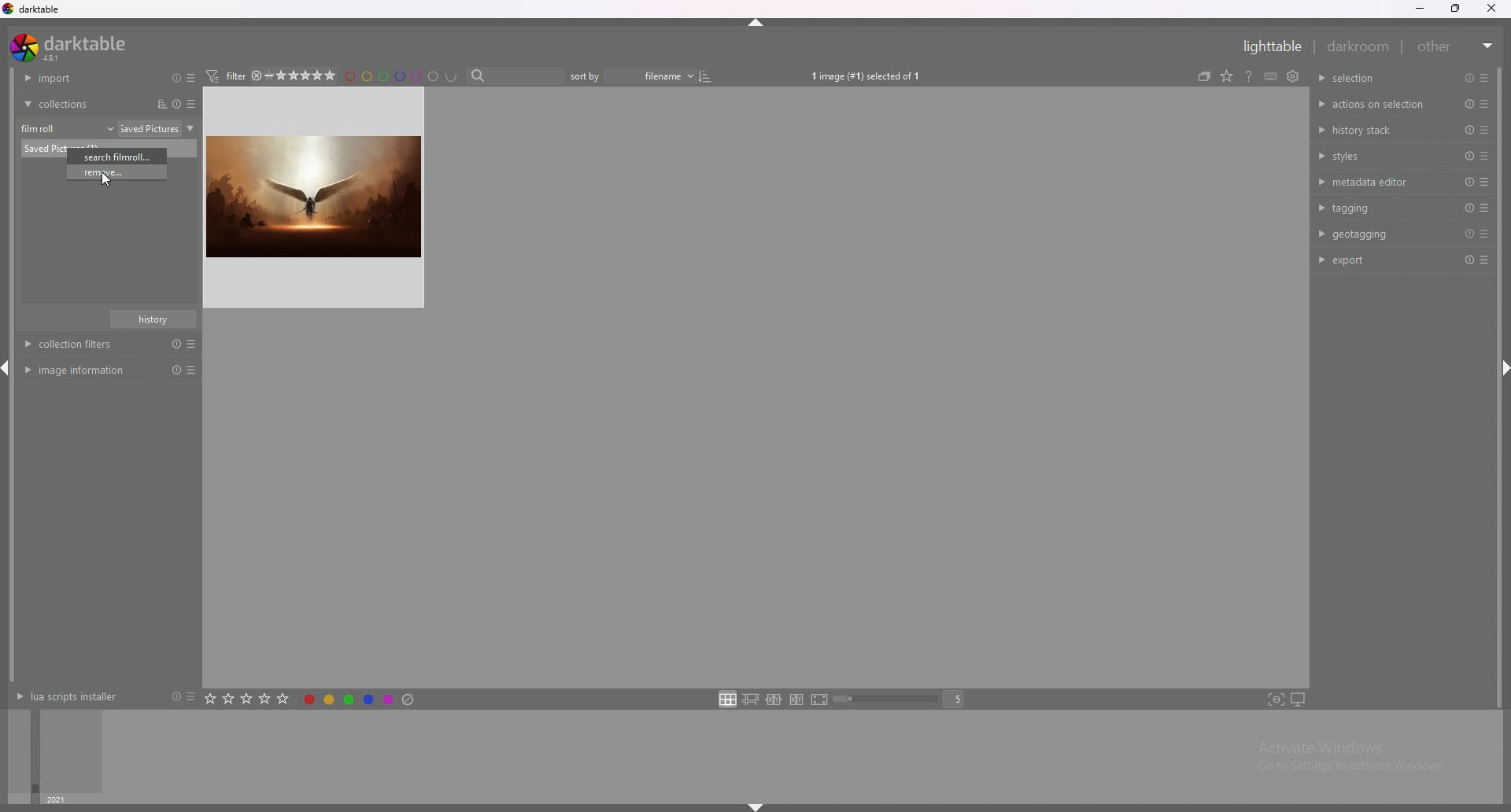  What do you see at coordinates (1289, 76) in the screenshot?
I see `define shortcuts` at bounding box center [1289, 76].